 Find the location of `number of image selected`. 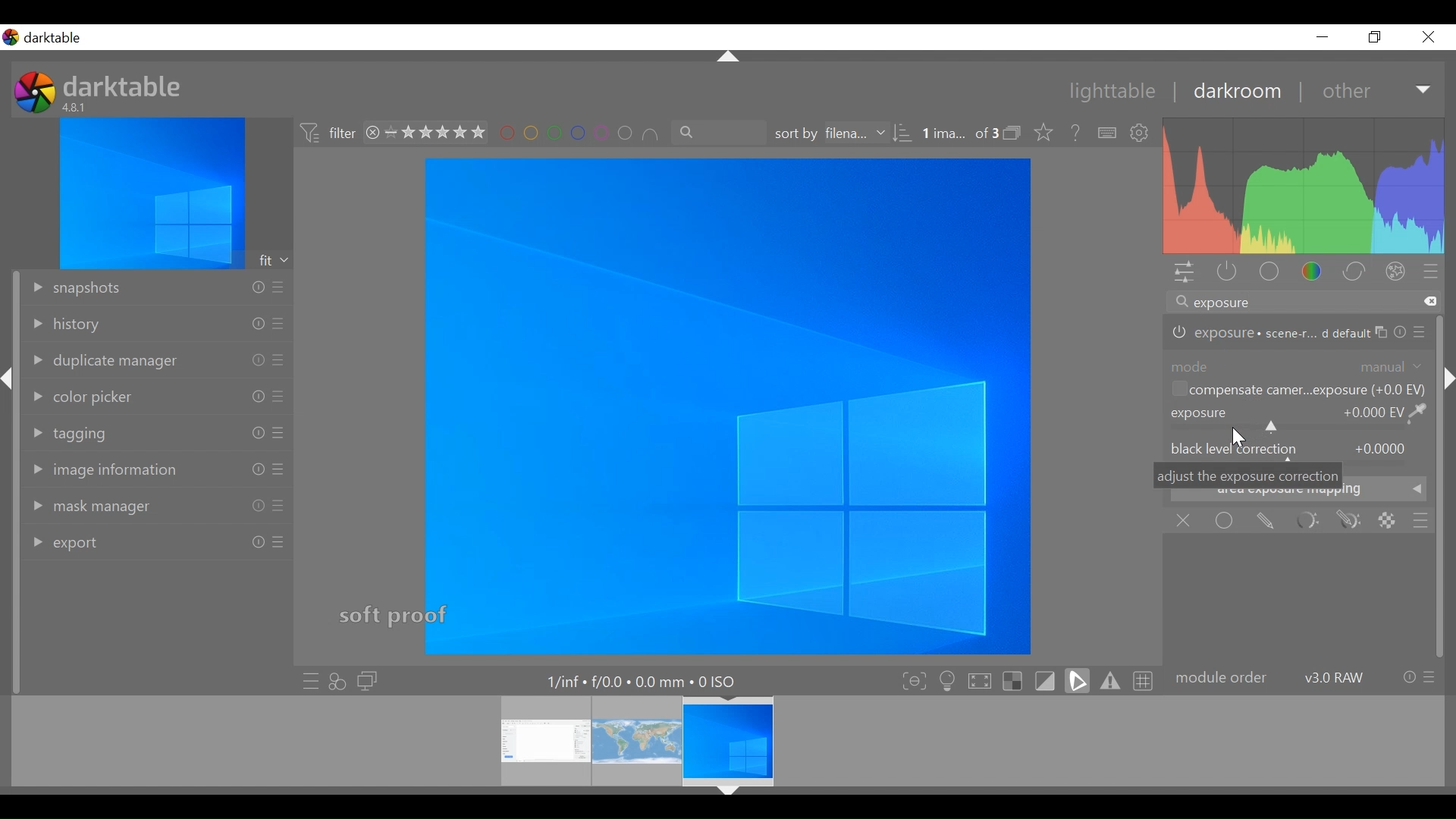

number of image selected is located at coordinates (959, 134).